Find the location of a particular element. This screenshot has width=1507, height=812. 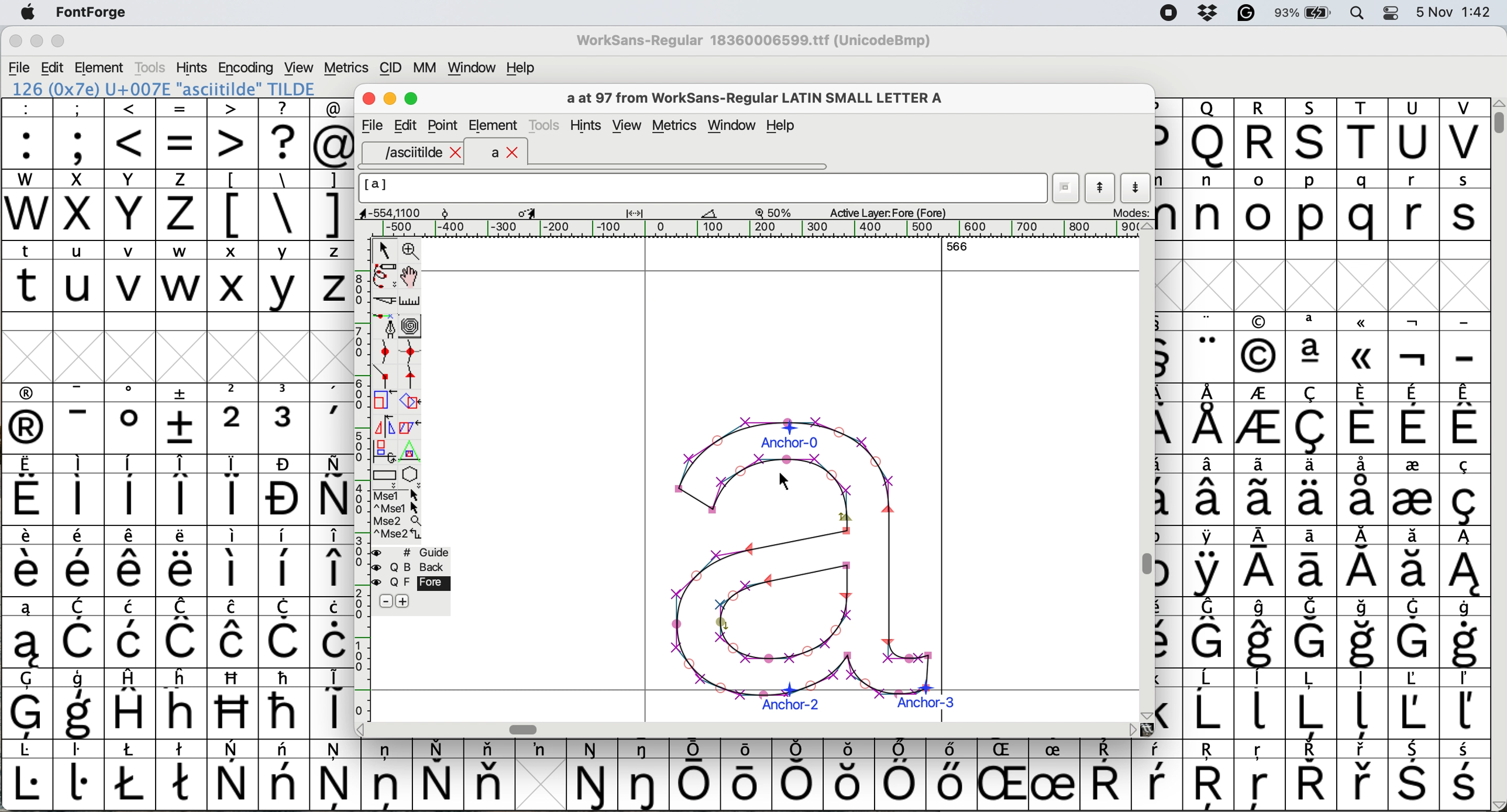

V is located at coordinates (1464, 134).